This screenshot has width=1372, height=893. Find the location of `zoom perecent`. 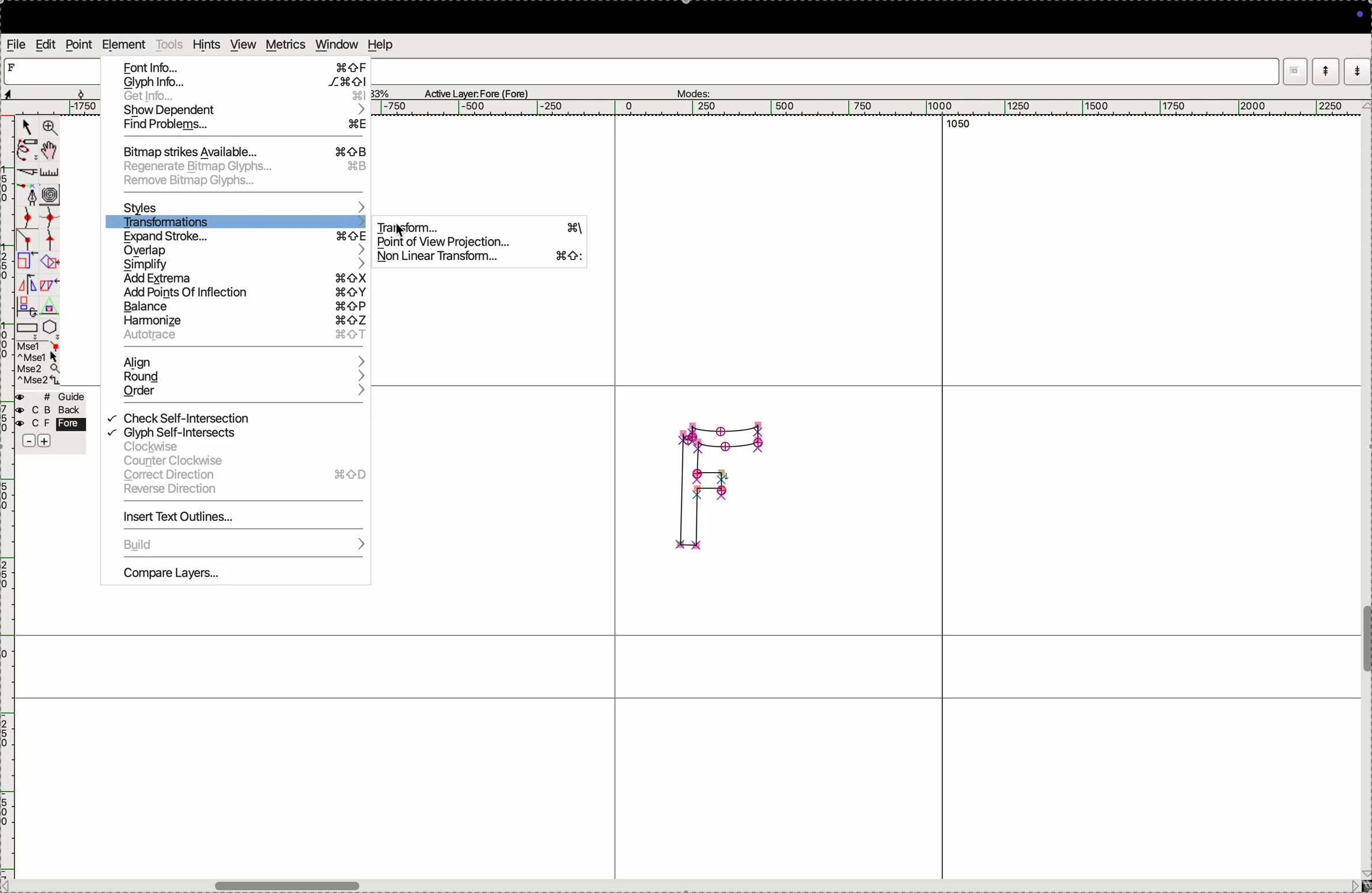

zoom perecent is located at coordinates (380, 92).